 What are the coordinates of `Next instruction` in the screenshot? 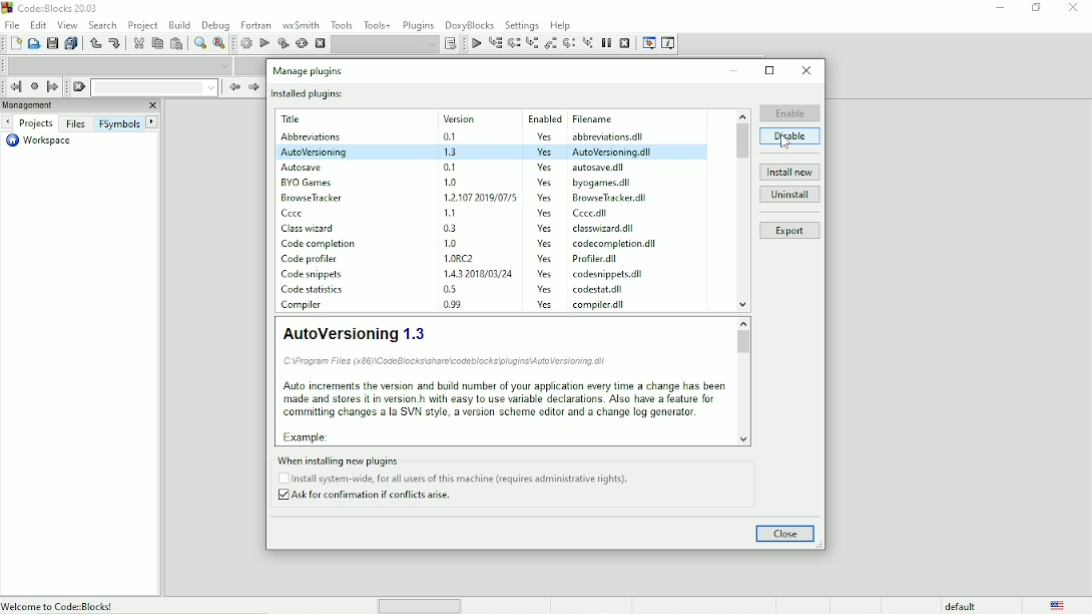 It's located at (570, 44).